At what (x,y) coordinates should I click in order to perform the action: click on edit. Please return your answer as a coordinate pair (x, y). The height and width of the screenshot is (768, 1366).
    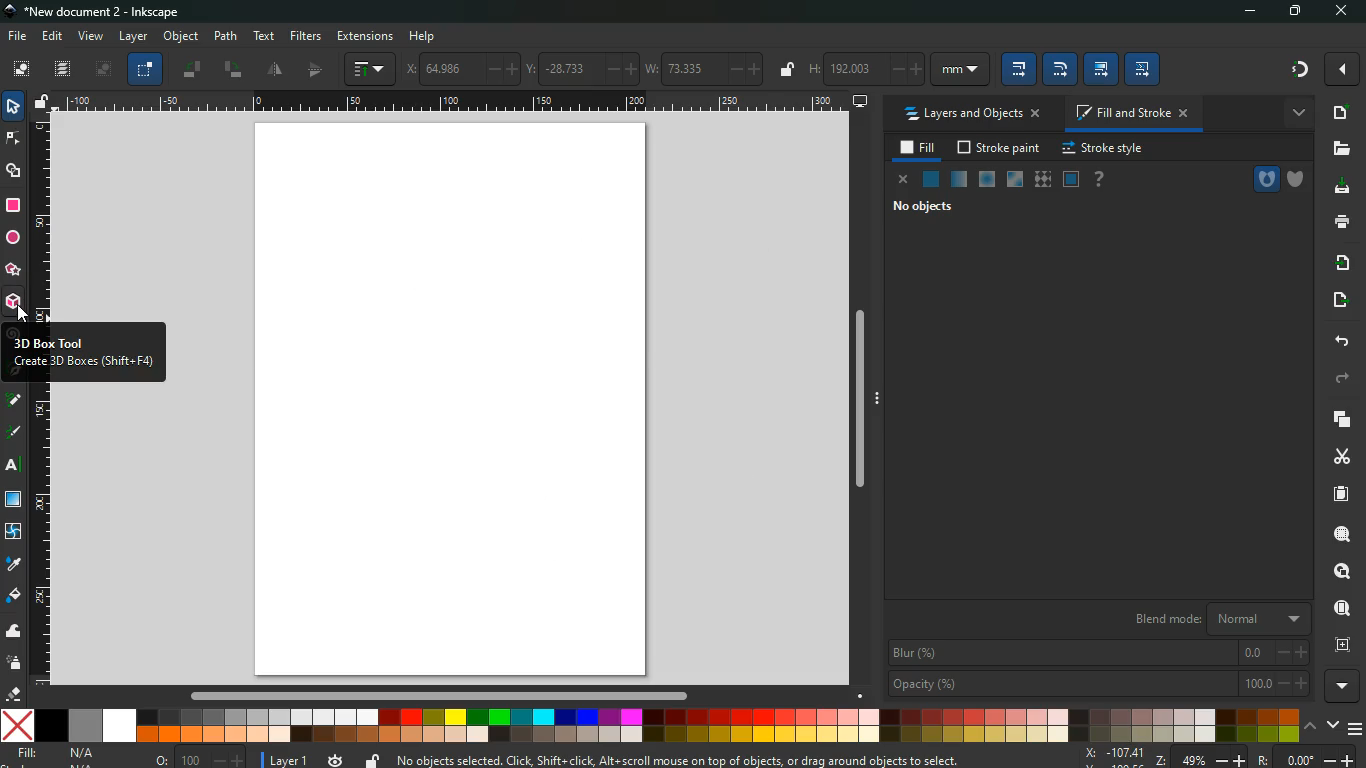
    Looking at the image, I should click on (1102, 68).